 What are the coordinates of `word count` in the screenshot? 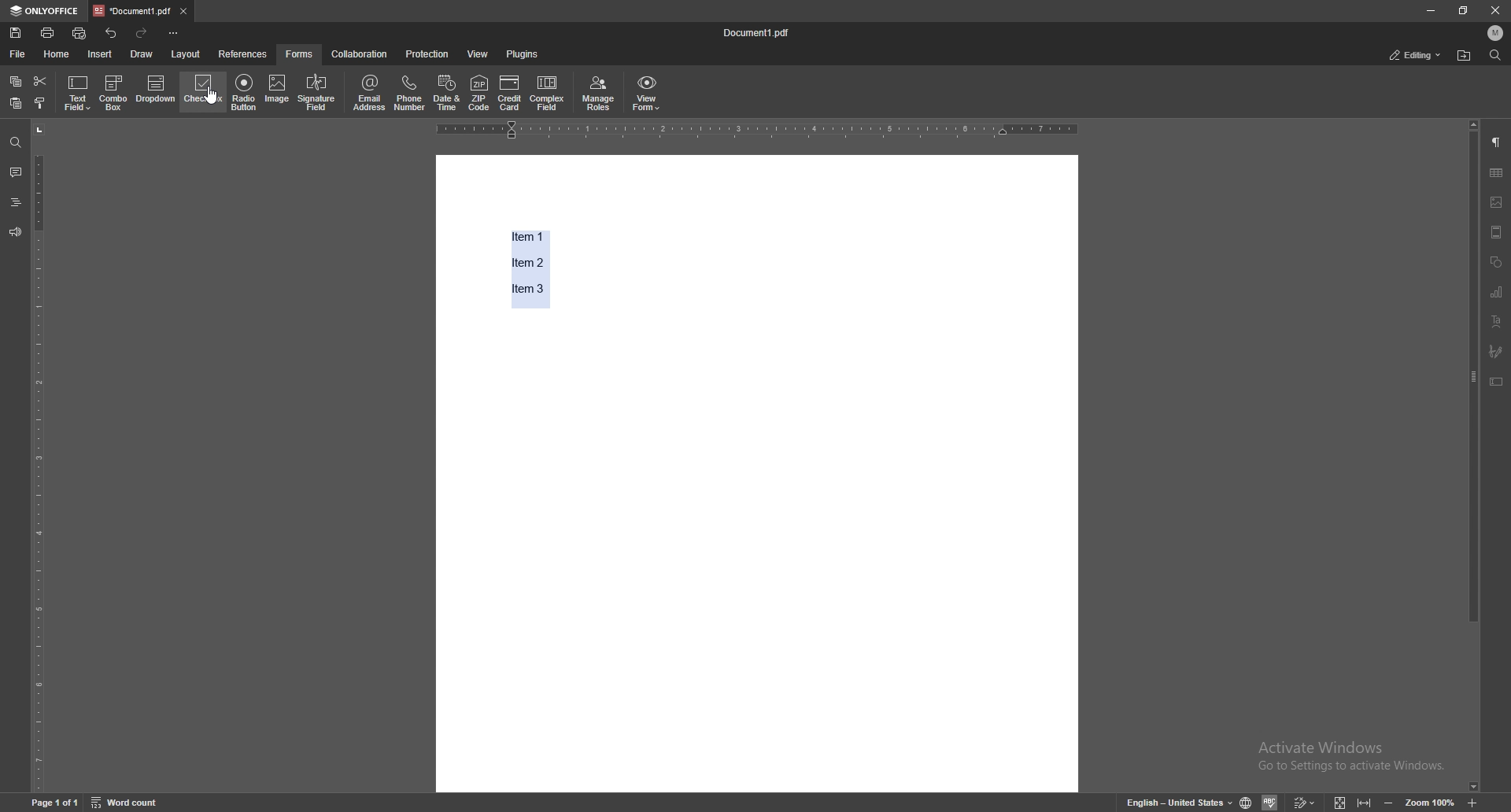 It's located at (125, 802).